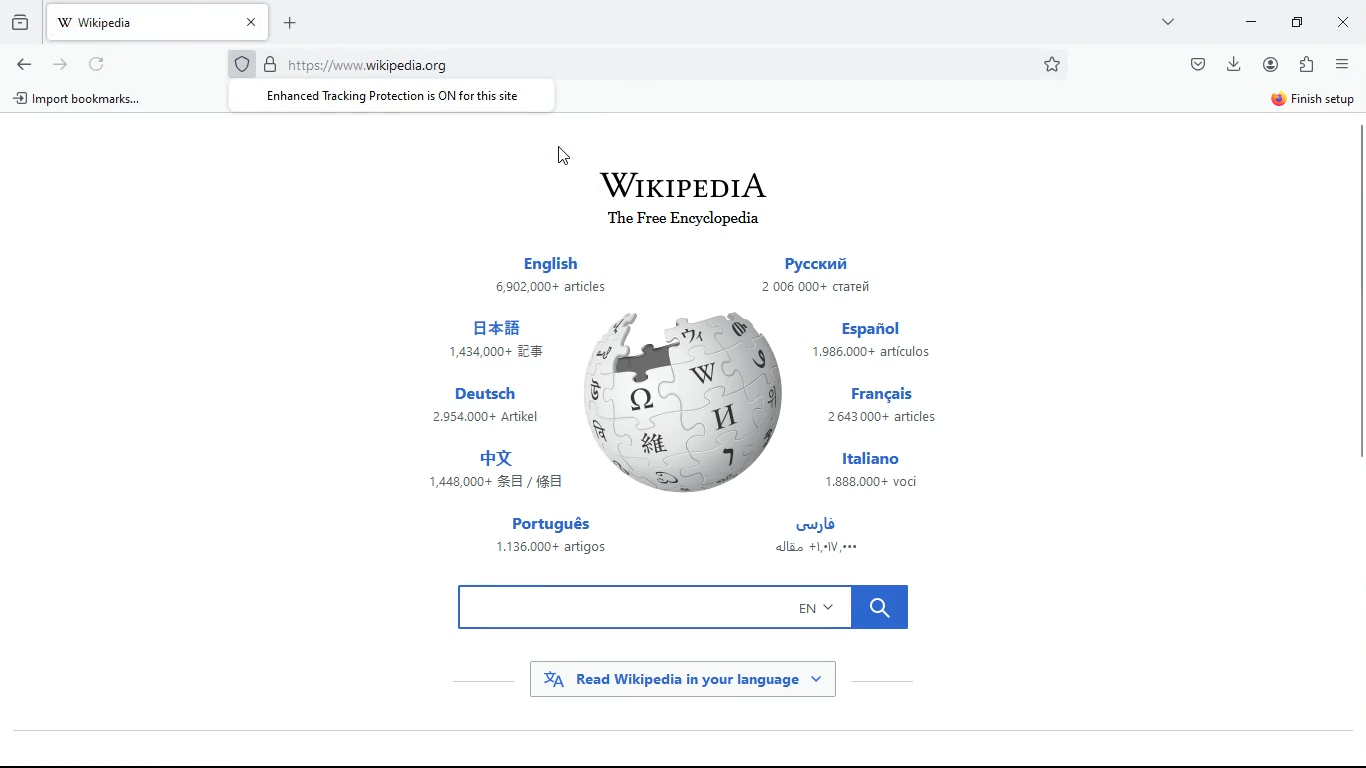  Describe the element at coordinates (882, 470) in the screenshot. I see `italiano` at that location.